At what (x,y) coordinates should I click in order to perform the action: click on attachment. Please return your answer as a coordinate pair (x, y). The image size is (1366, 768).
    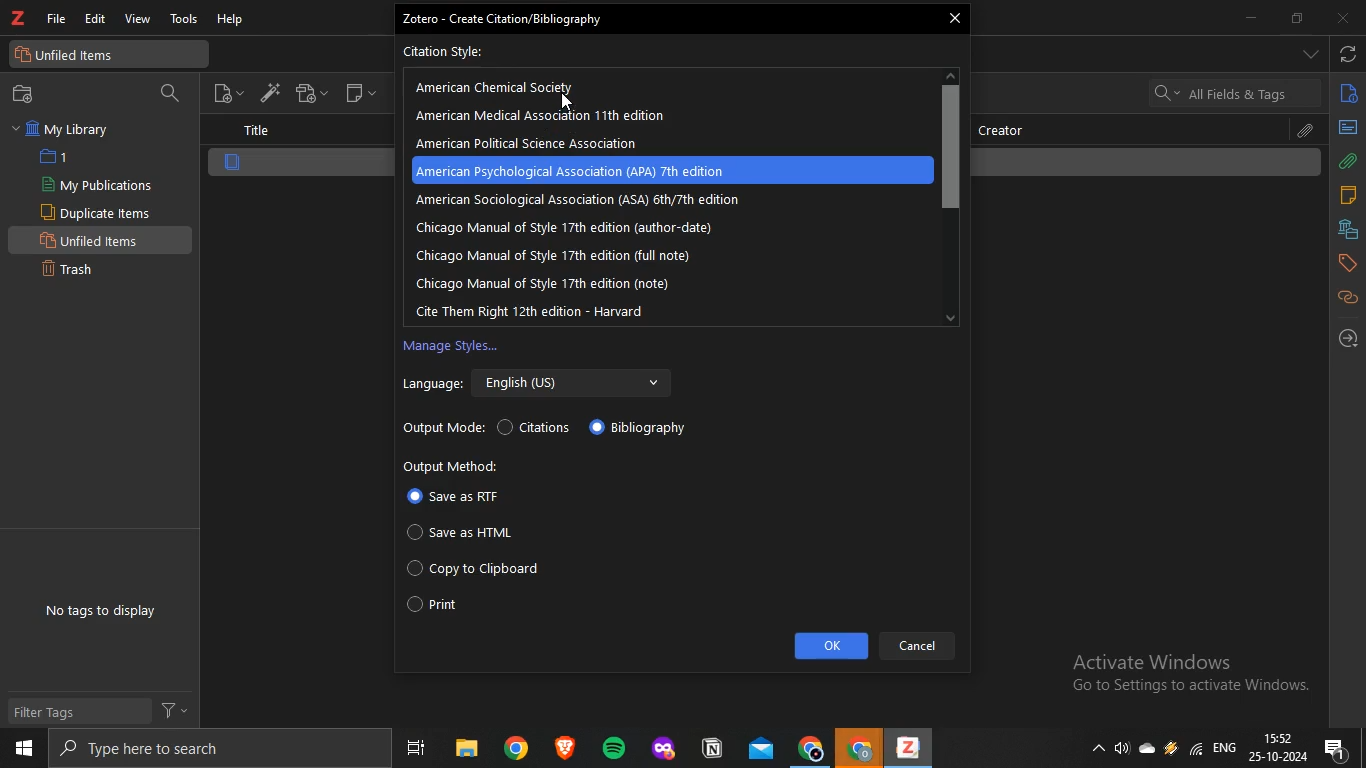
    Looking at the image, I should click on (1307, 131).